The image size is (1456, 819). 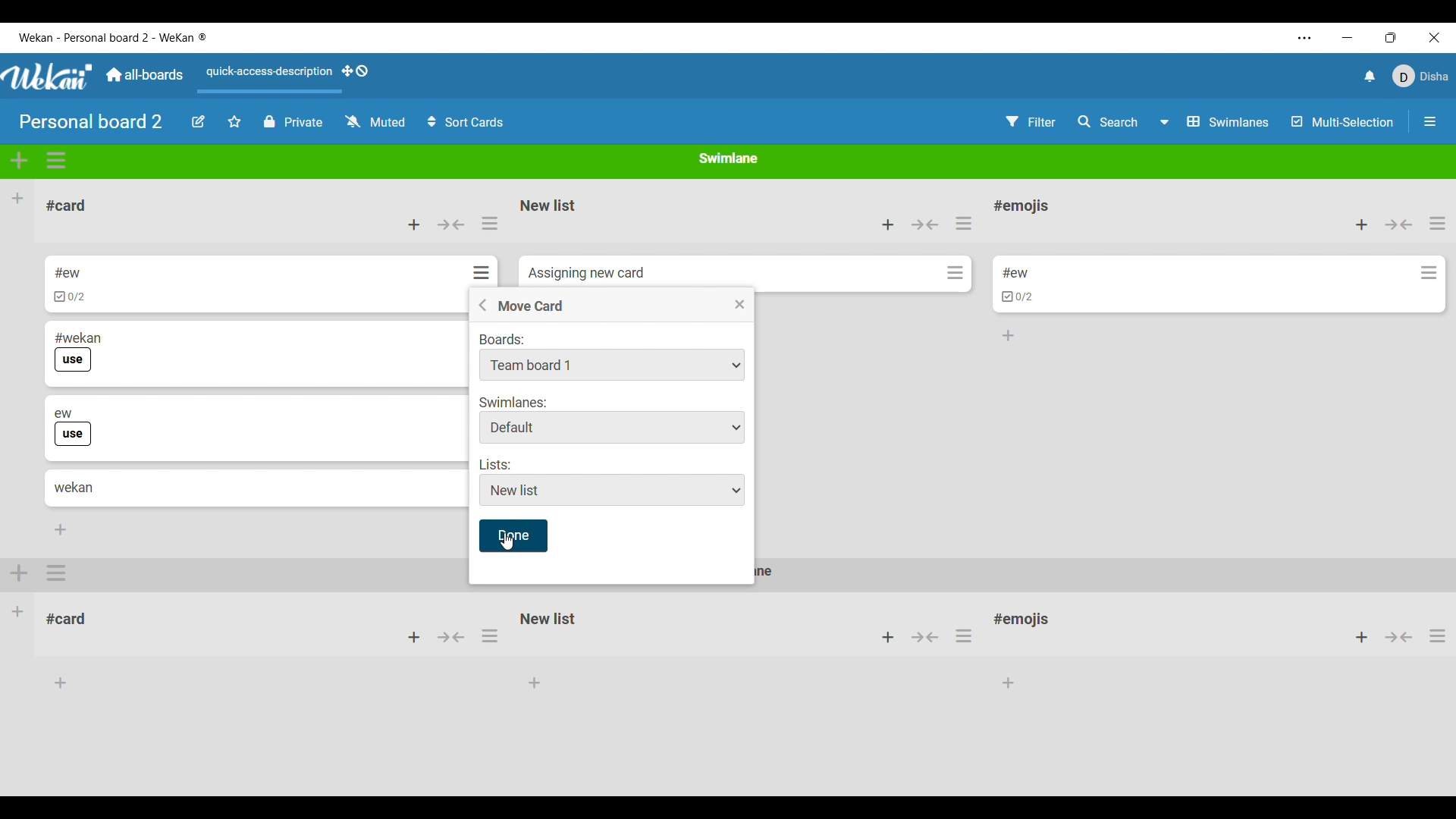 I want to click on Change watch options, so click(x=375, y=121).